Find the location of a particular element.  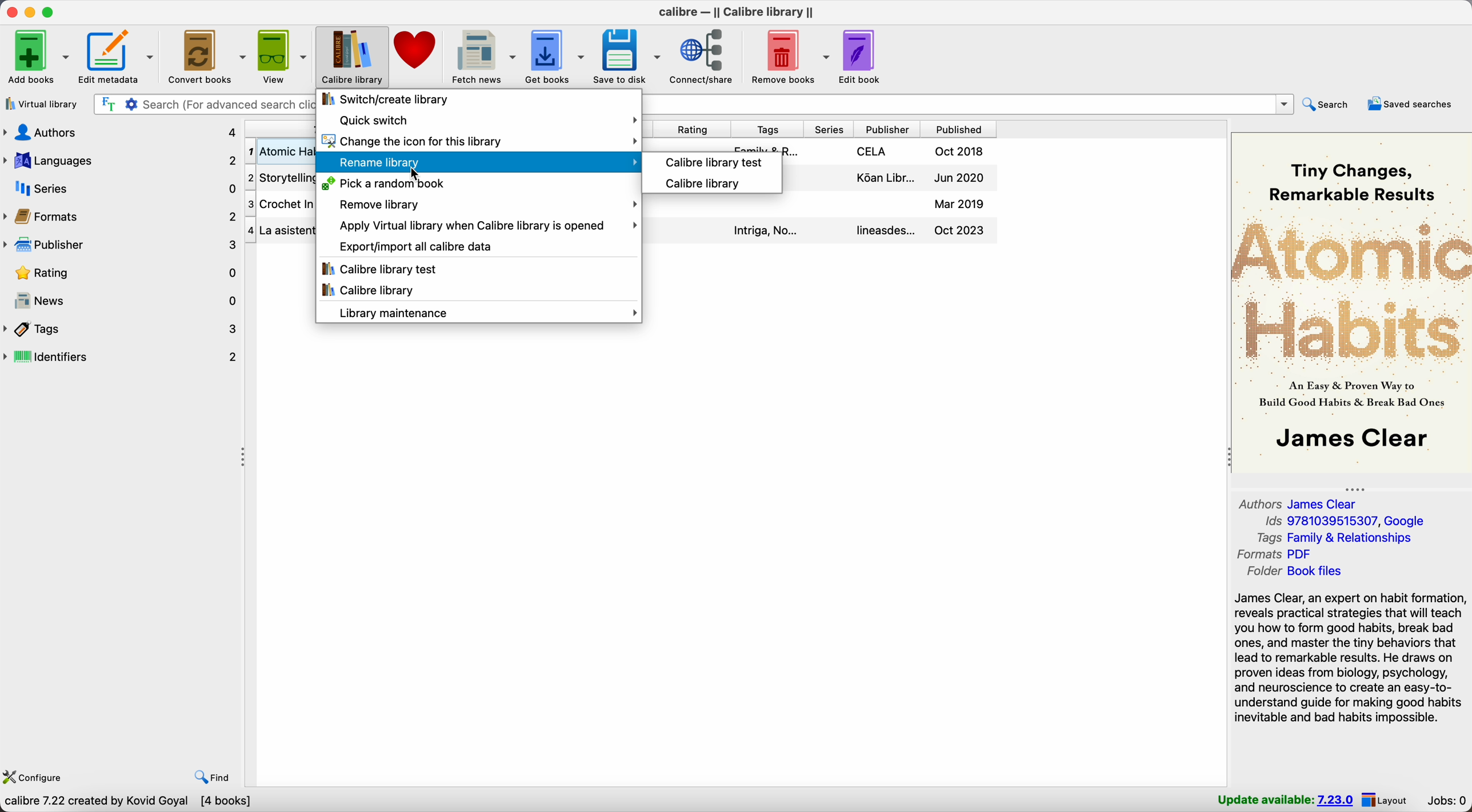

Storytelling details book is located at coordinates (890, 180).